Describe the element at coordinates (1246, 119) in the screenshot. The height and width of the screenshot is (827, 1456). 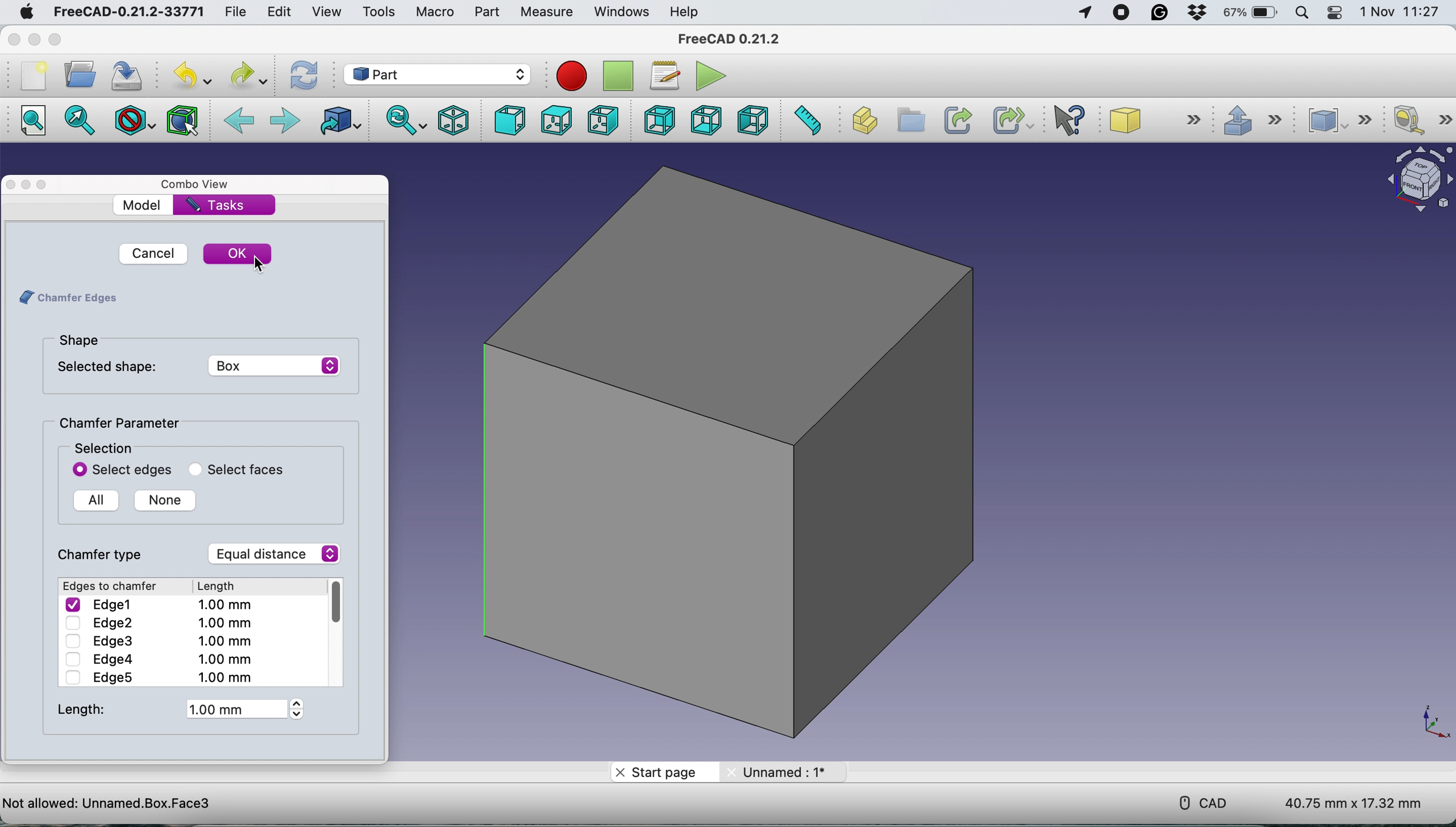
I see `extrude` at that location.